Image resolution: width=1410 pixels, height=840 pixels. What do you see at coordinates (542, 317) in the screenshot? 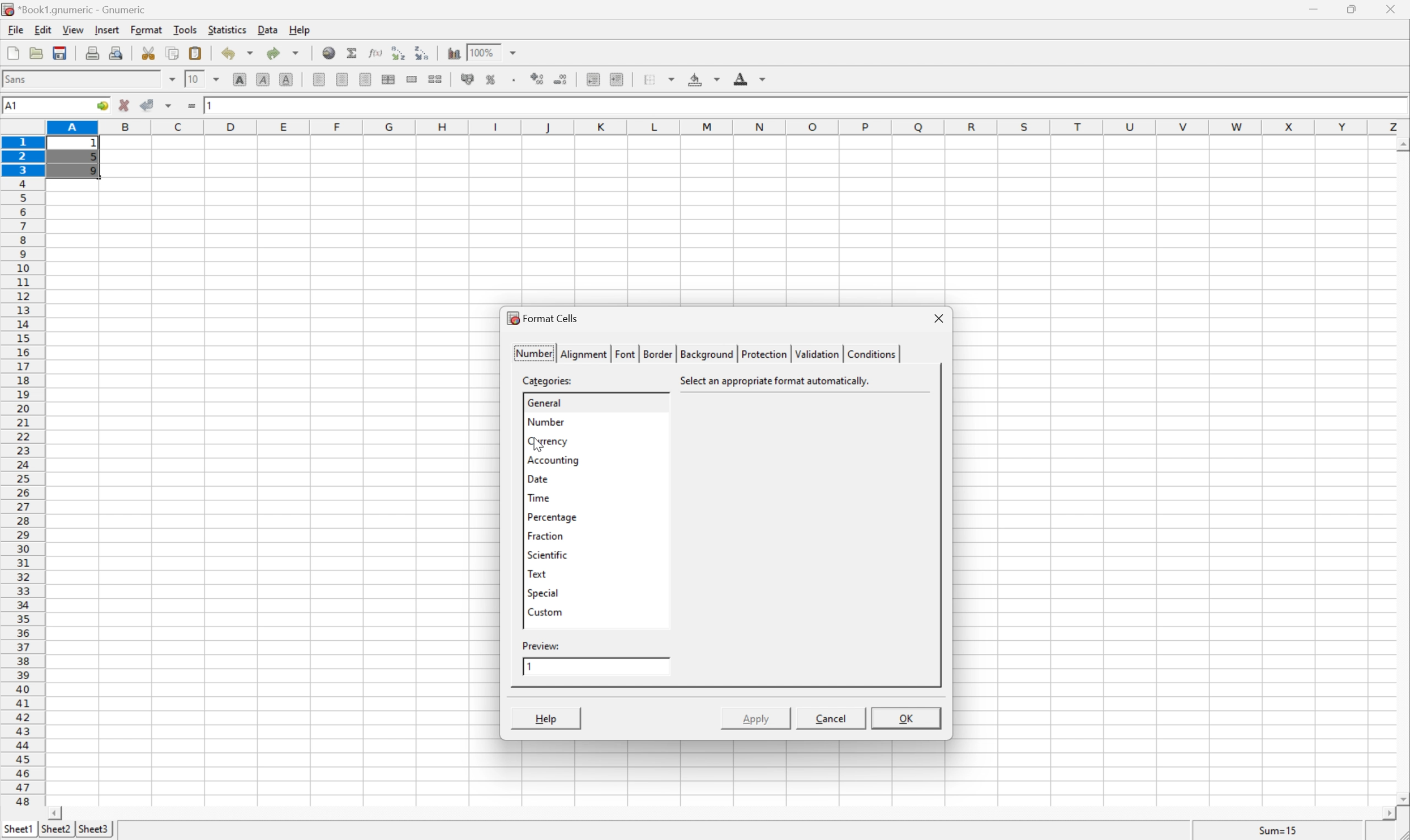
I see `format cells` at bounding box center [542, 317].